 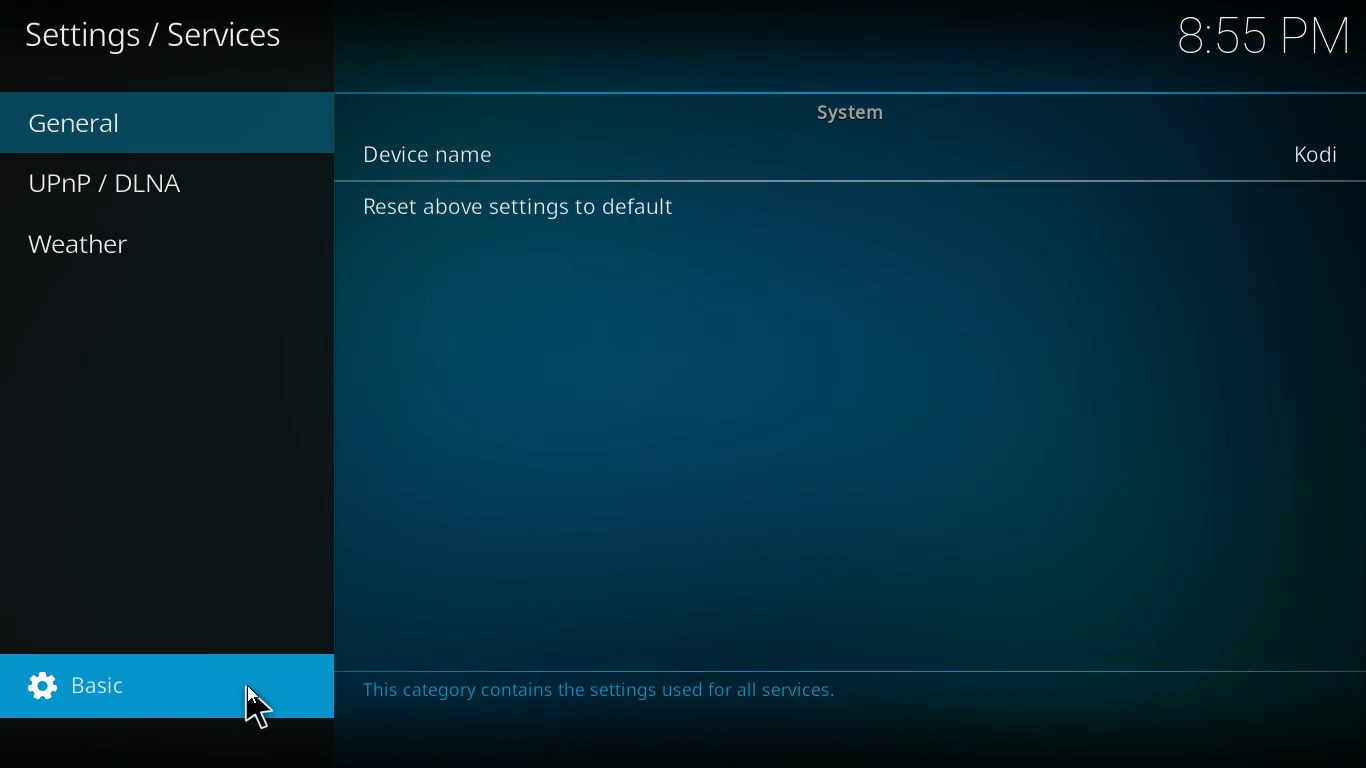 I want to click on device name, so click(x=1315, y=153).